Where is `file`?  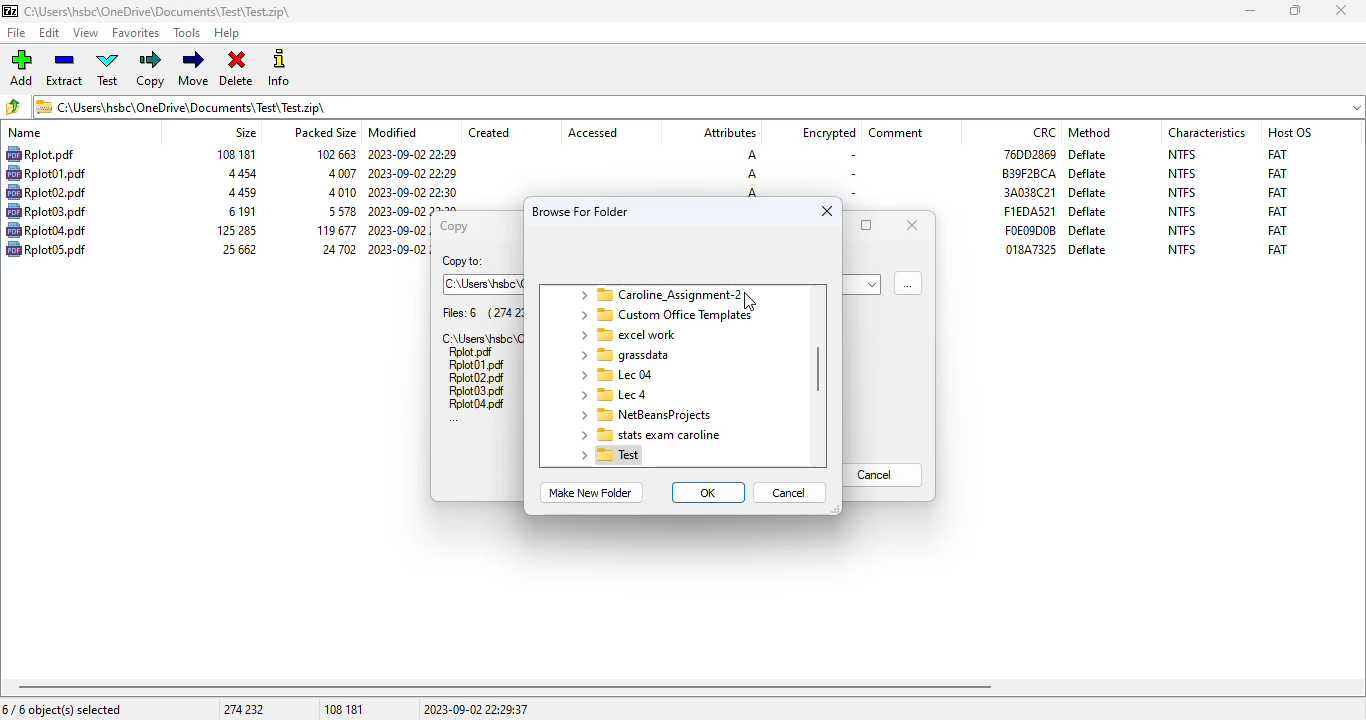
file is located at coordinates (471, 353).